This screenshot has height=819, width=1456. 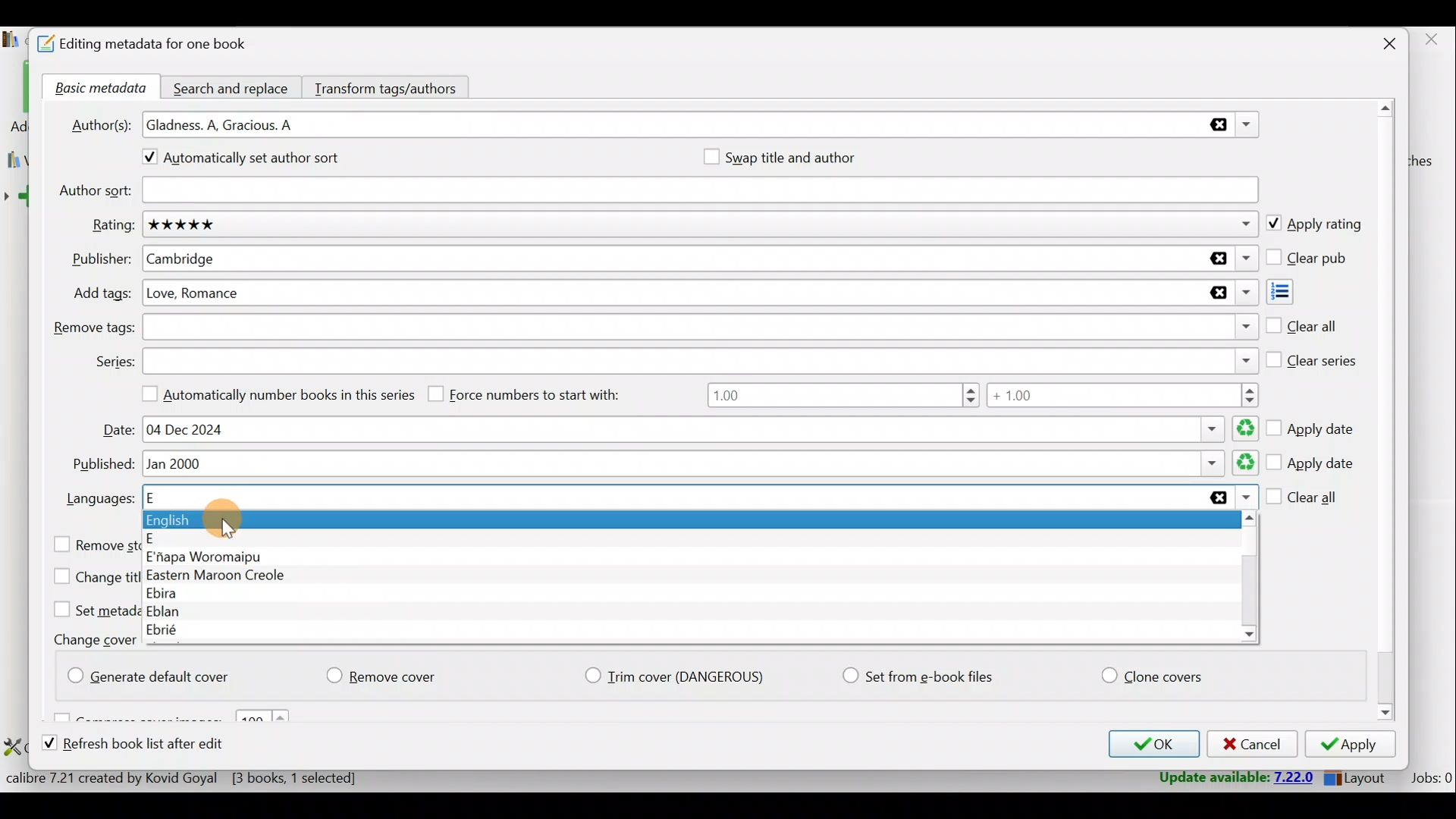 I want to click on OK, so click(x=1150, y=744).